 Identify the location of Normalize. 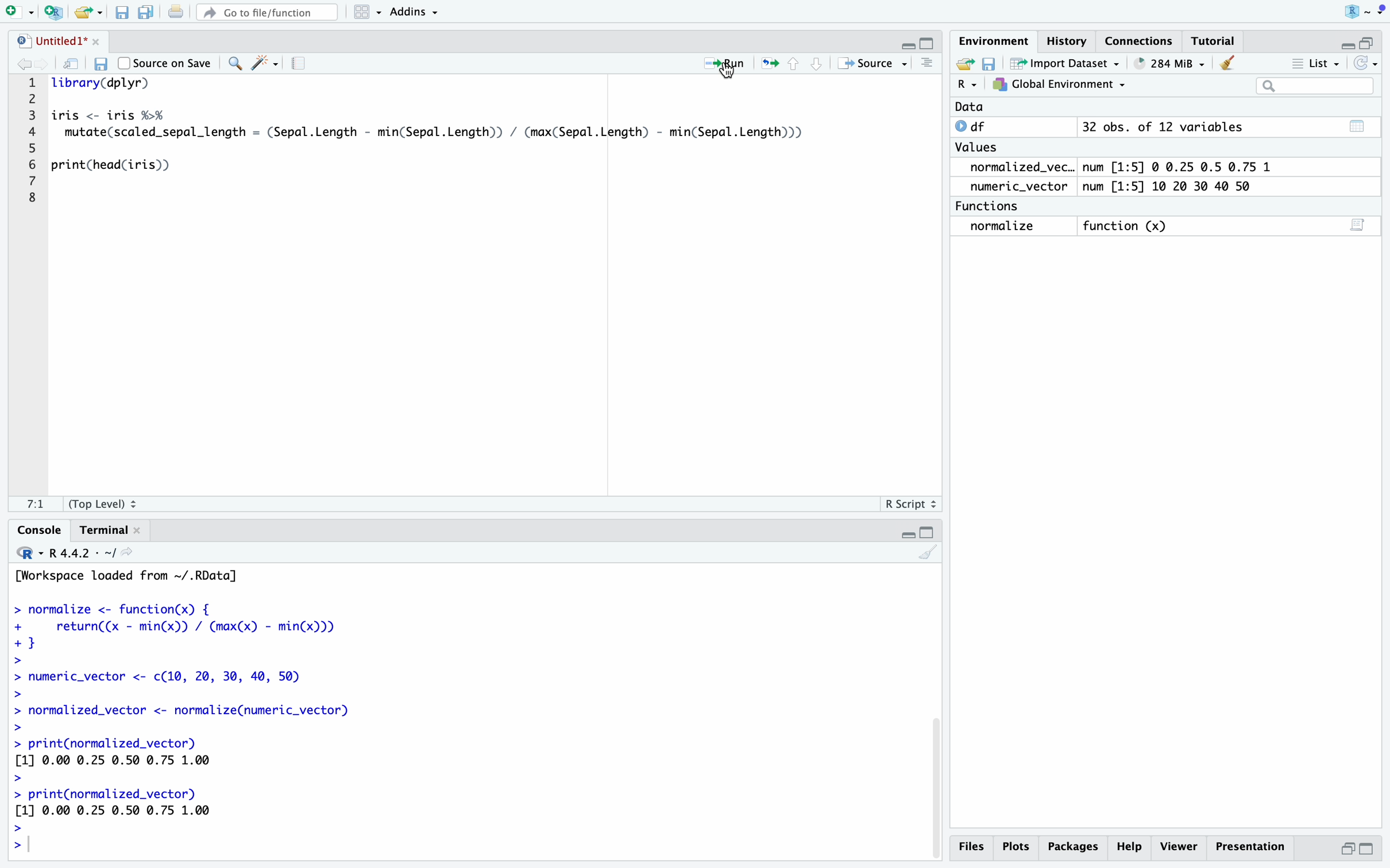
(1004, 227).